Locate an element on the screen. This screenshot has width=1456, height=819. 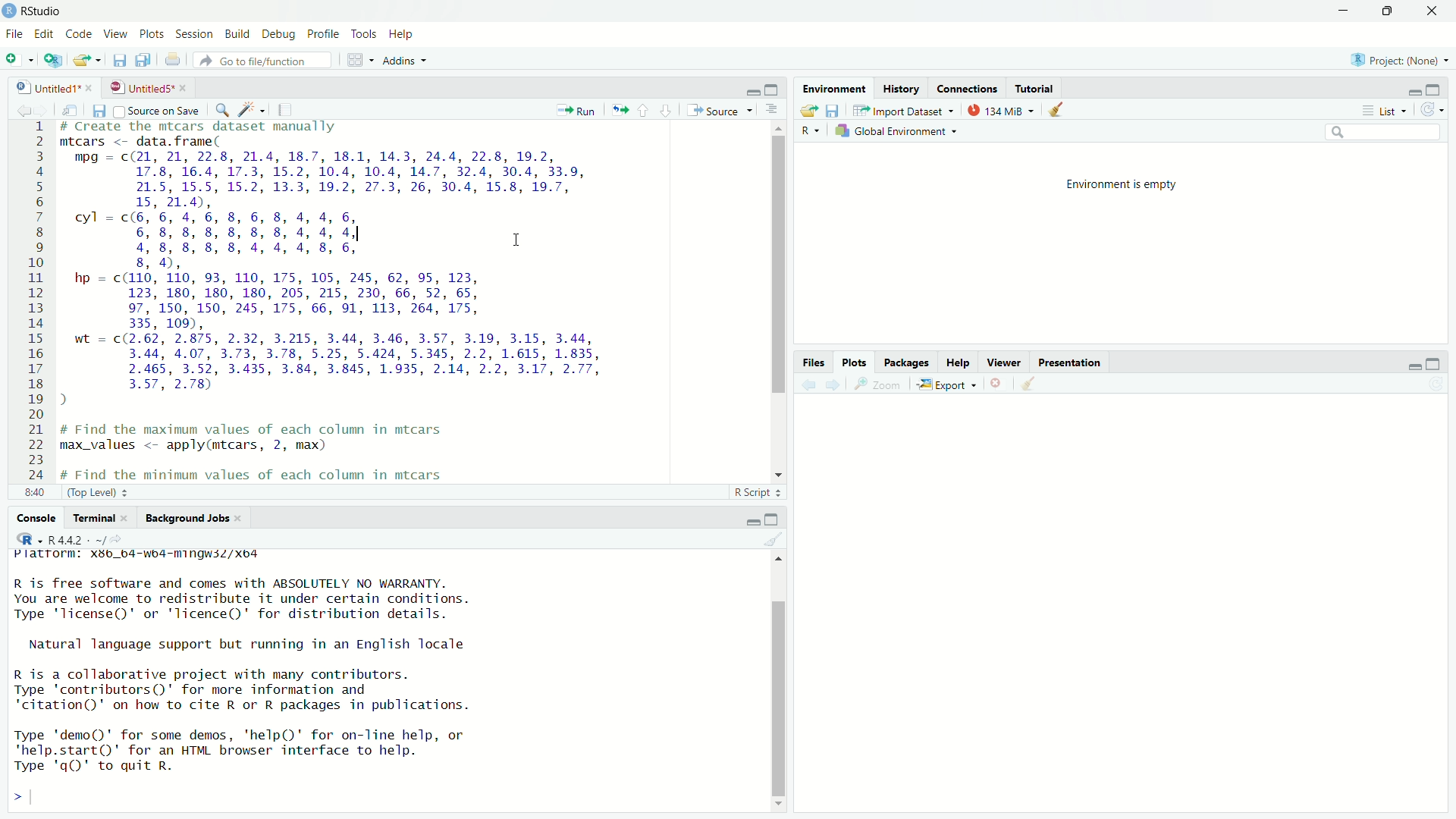
maximise is located at coordinates (773, 89).